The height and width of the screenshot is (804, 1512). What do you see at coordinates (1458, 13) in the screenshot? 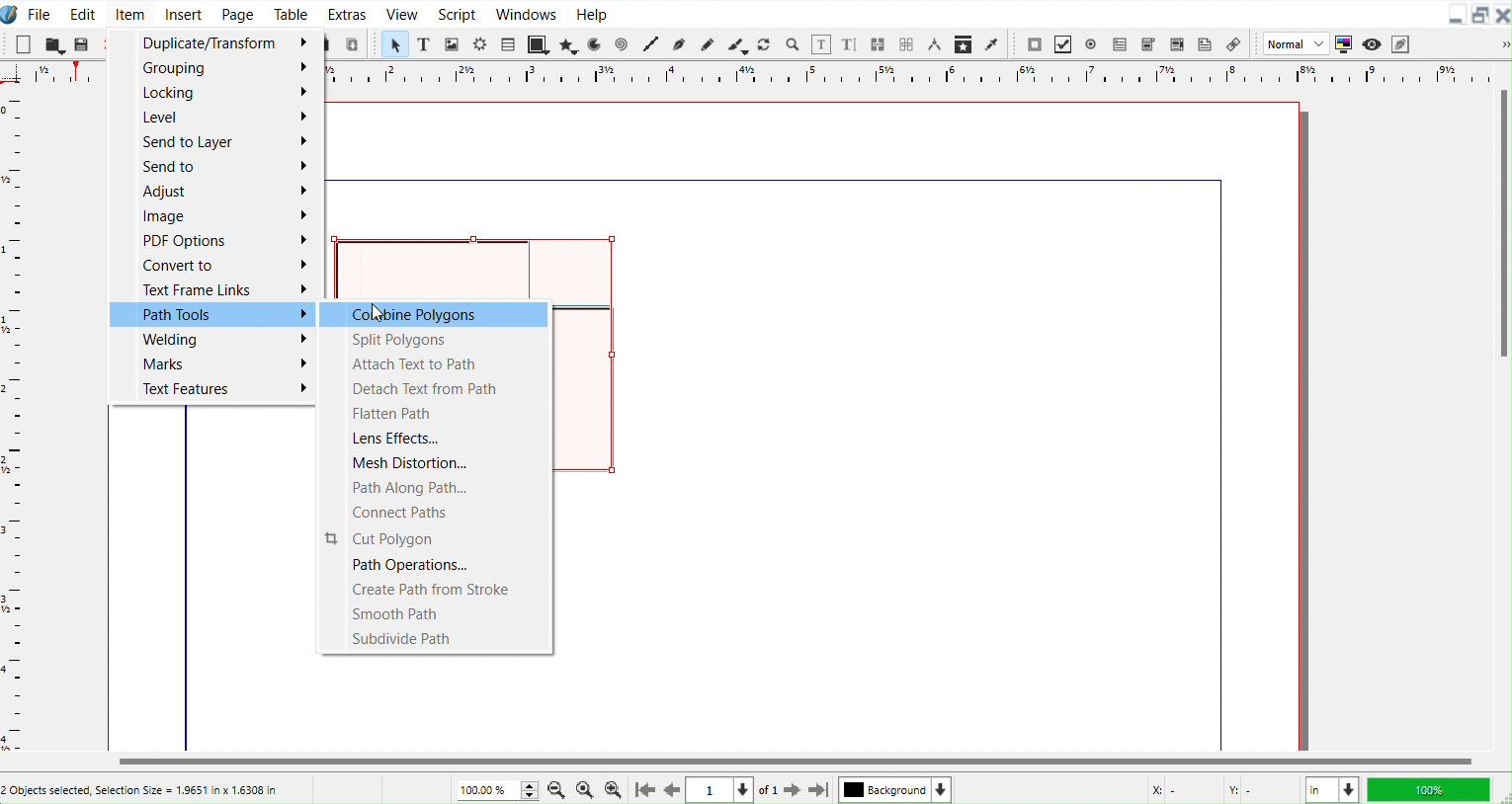
I see `Minimize` at bounding box center [1458, 13].